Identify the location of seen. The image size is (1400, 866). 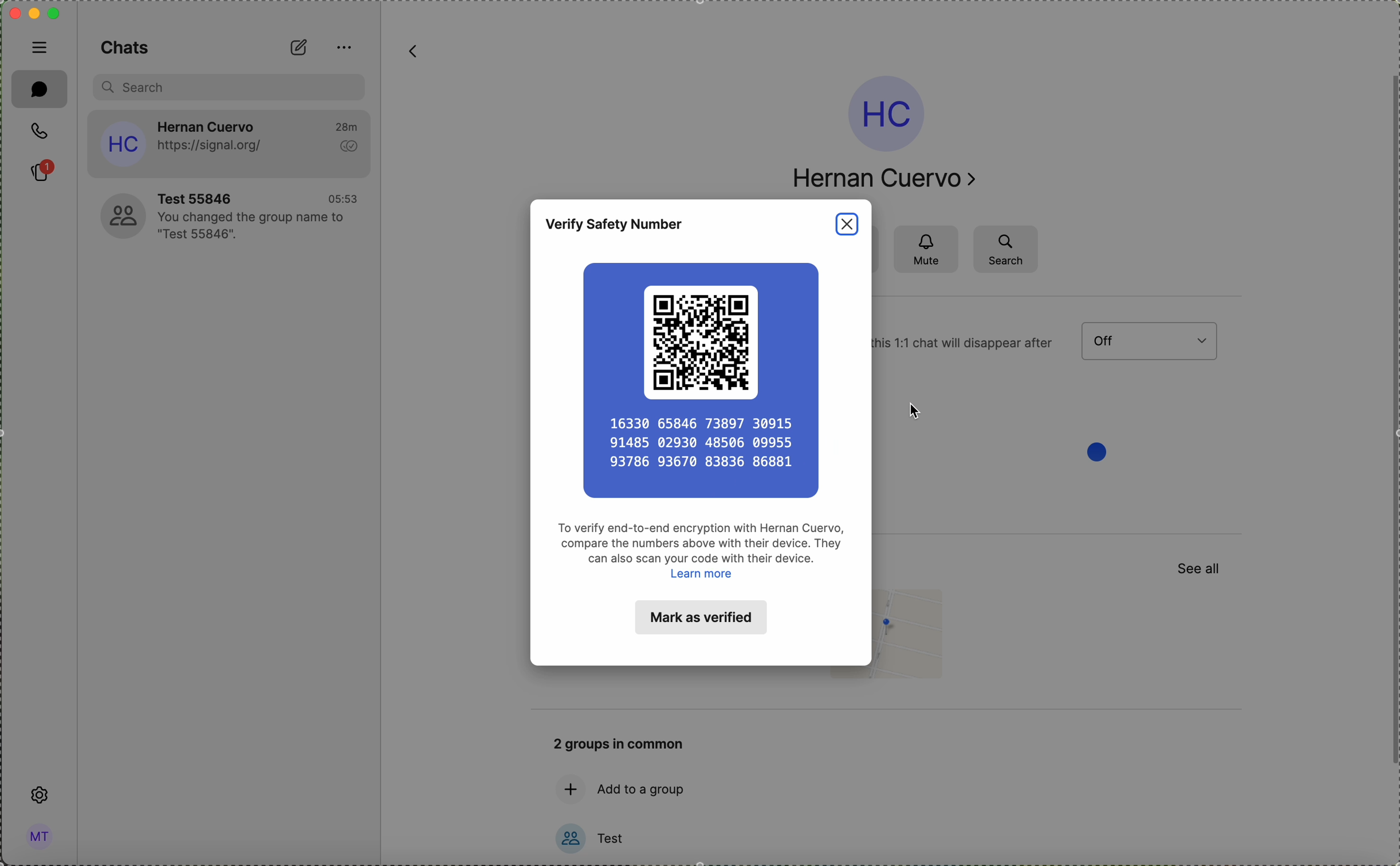
(348, 146).